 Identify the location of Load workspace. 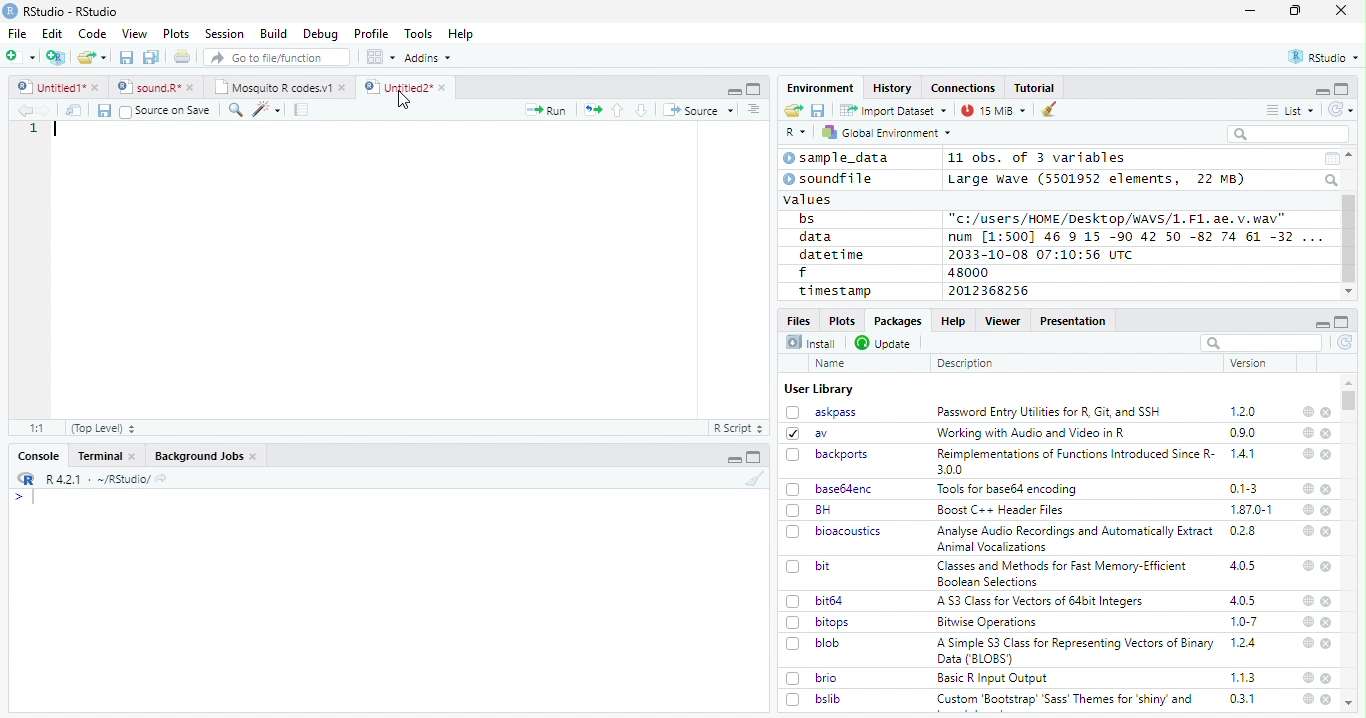
(794, 111).